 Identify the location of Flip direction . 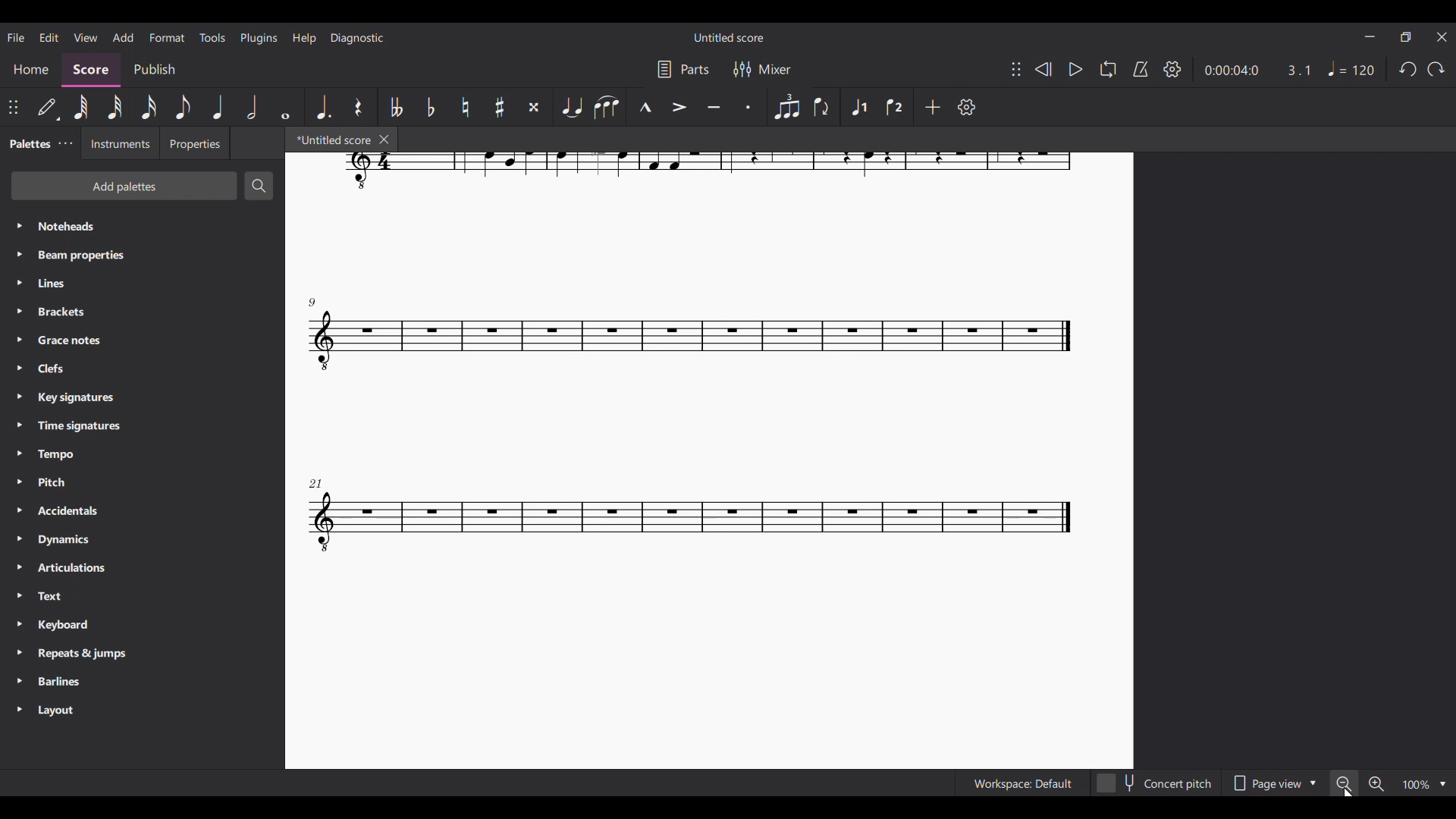
(822, 107).